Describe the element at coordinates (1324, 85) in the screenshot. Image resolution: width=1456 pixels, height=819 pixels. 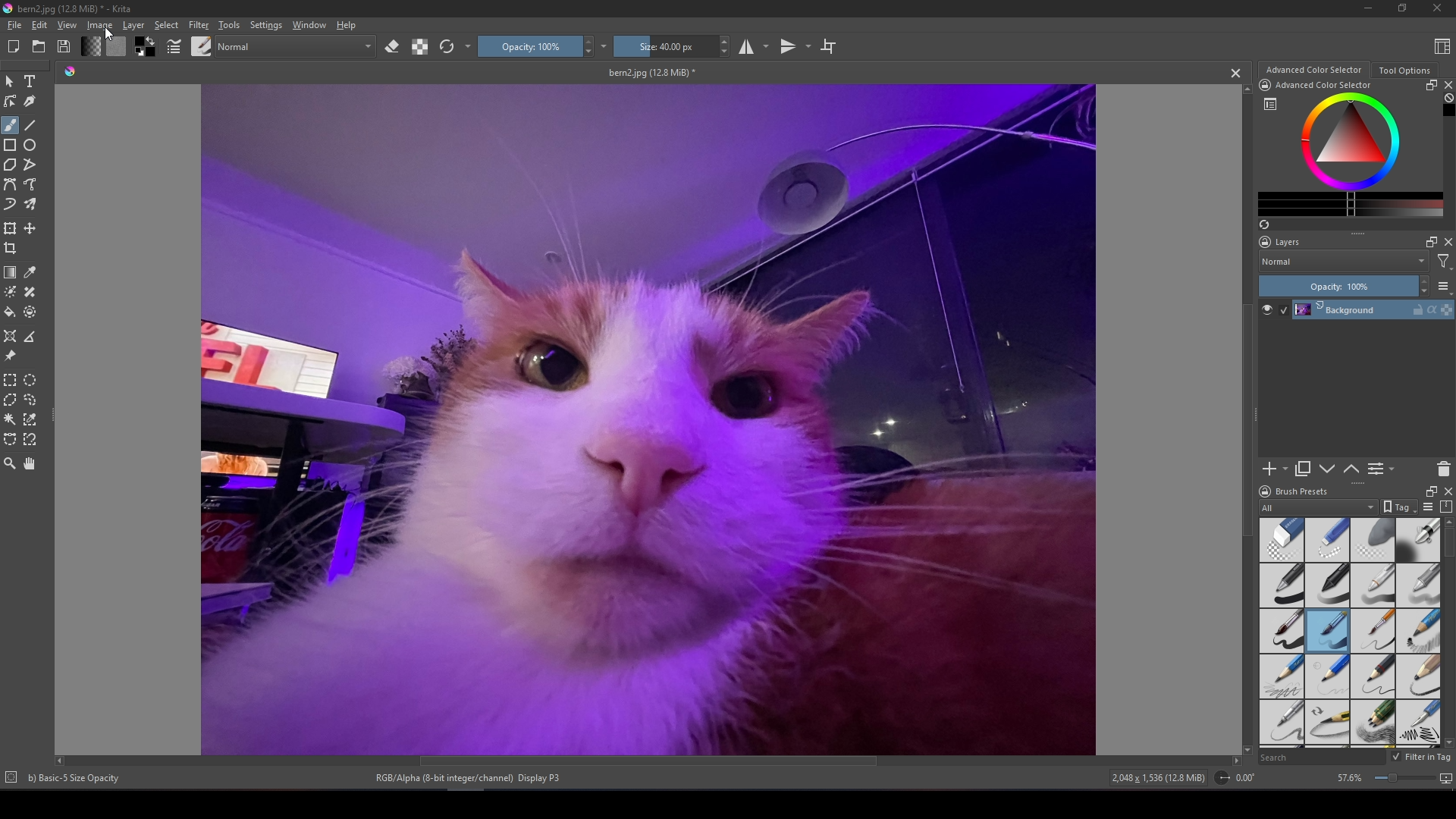
I see `Advanced color selector` at that location.